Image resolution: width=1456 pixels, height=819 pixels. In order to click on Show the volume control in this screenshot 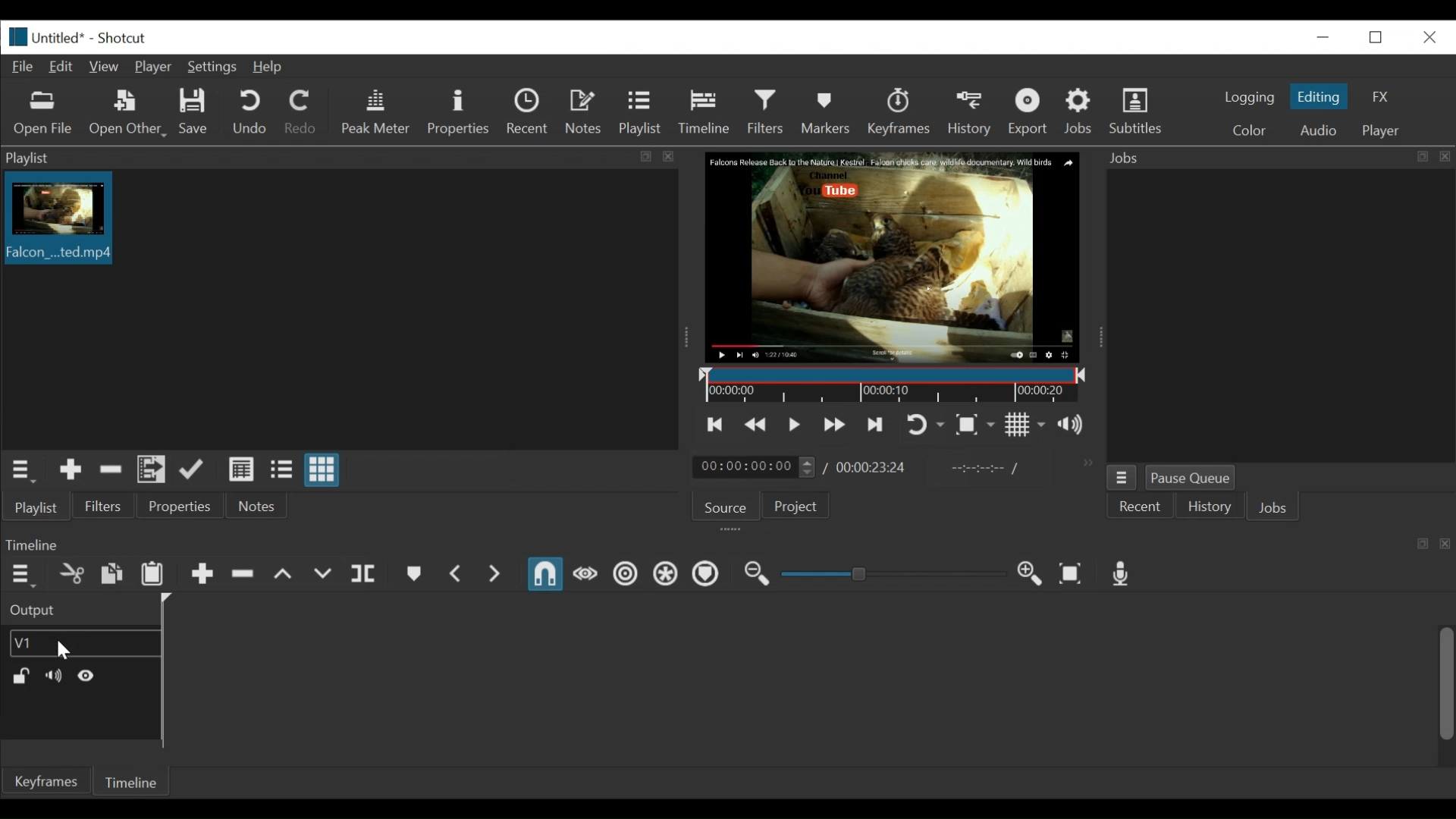, I will do `click(1072, 423)`.